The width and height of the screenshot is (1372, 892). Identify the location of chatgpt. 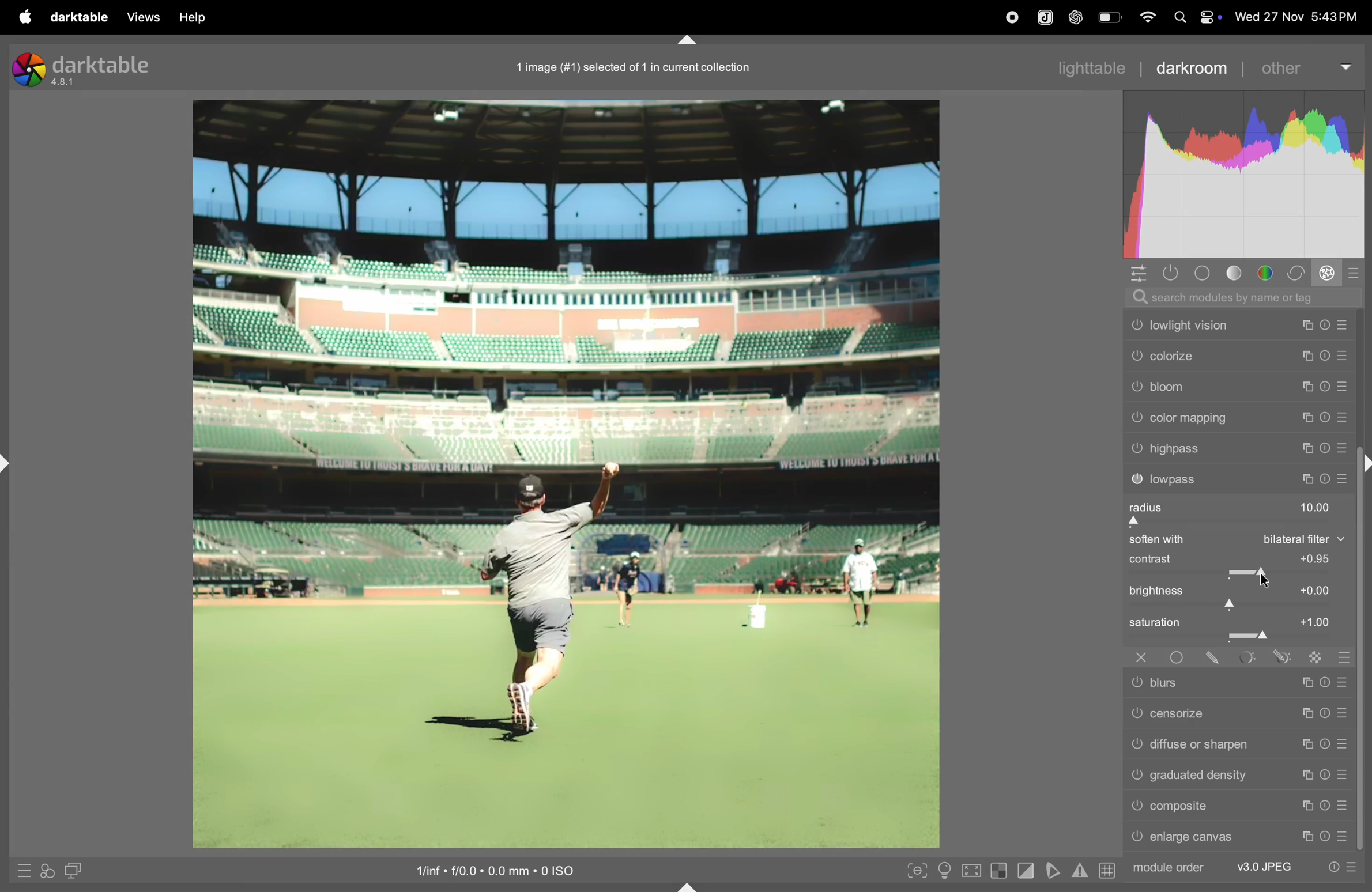
(1074, 18).